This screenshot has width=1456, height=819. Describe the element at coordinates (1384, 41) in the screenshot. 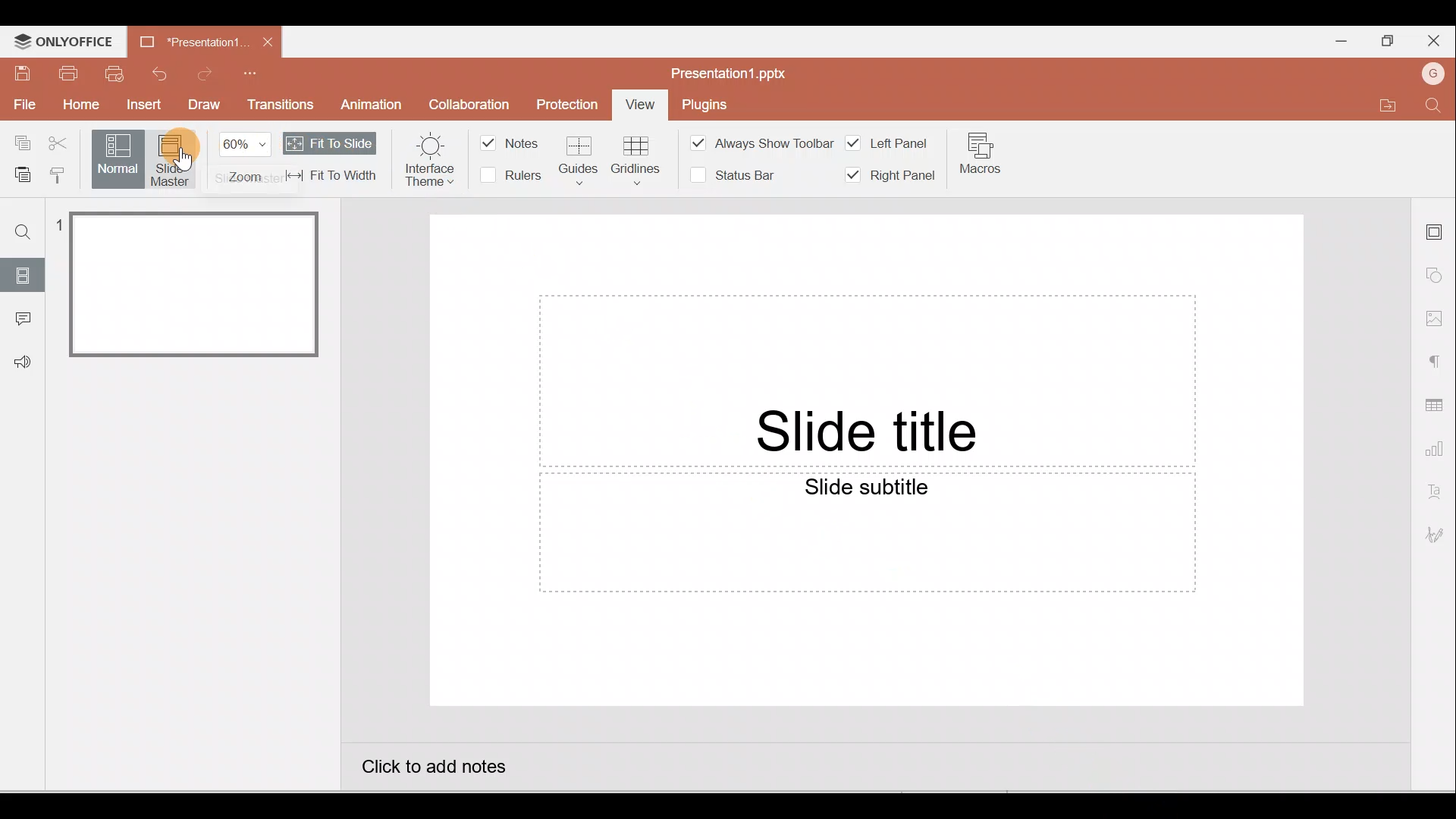

I see `Maximise` at that location.